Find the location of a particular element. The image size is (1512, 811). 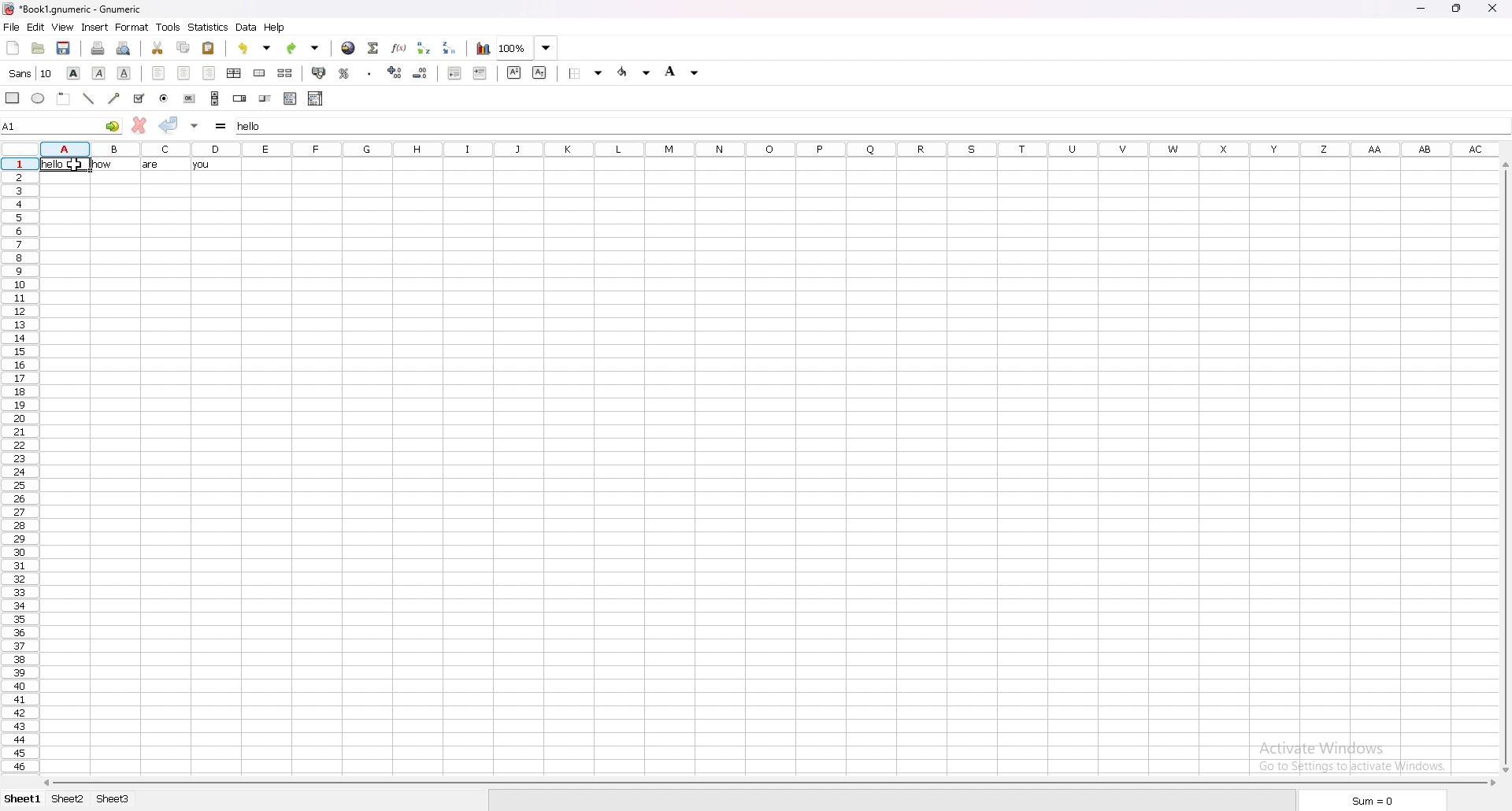

underline is located at coordinates (124, 72).